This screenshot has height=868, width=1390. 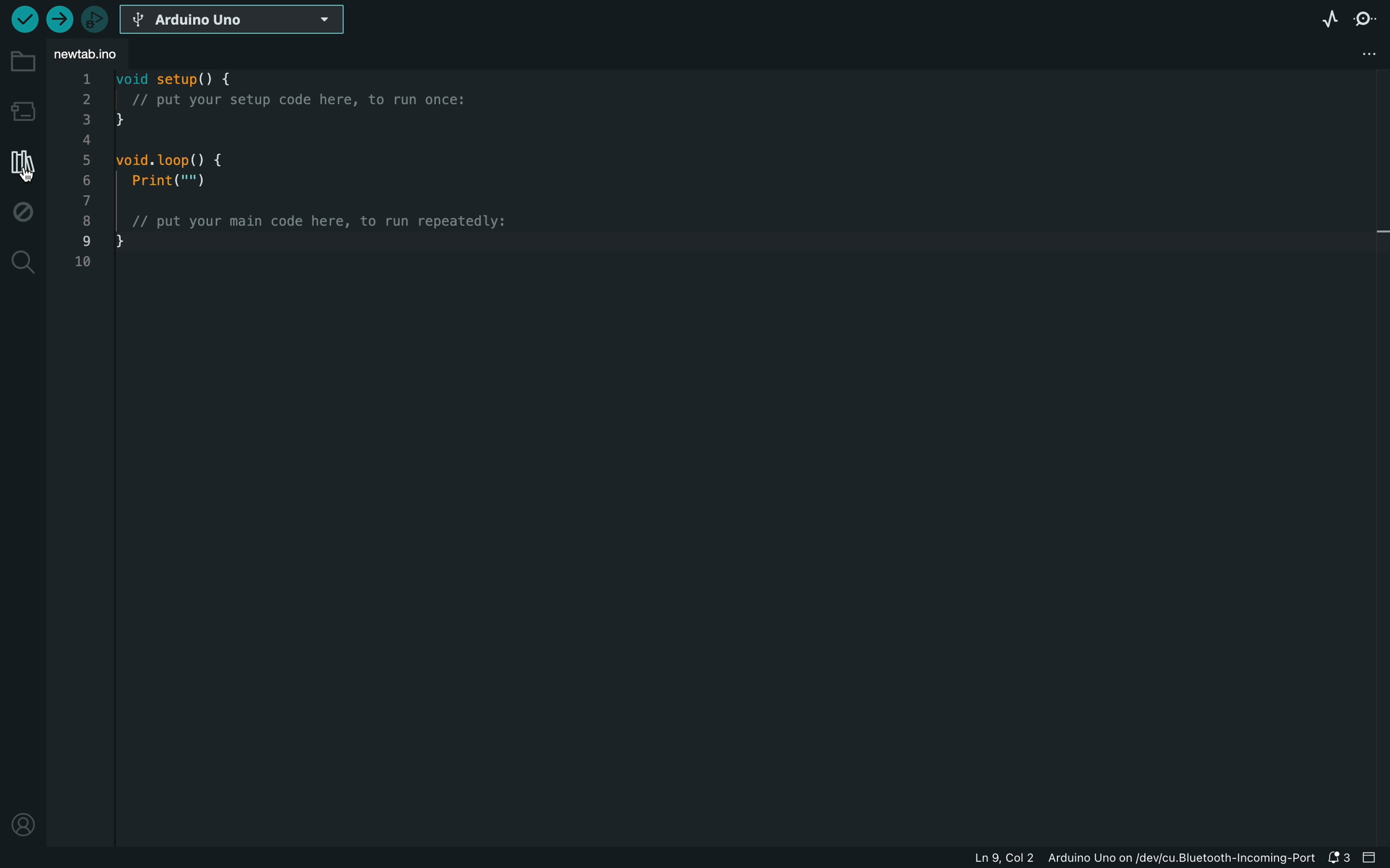 What do you see at coordinates (23, 18) in the screenshot?
I see `verify` at bounding box center [23, 18].